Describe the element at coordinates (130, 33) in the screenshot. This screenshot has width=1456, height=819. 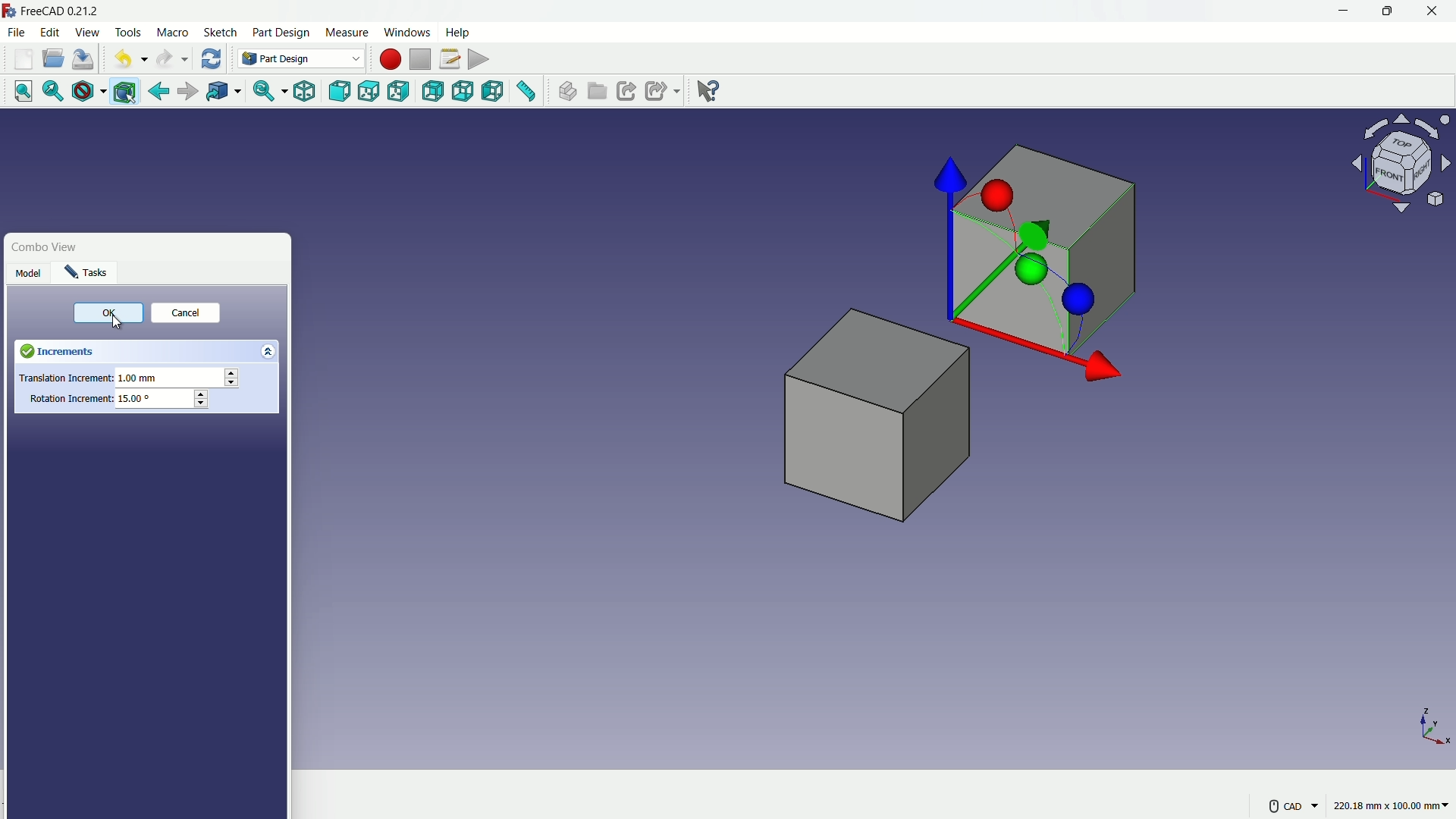
I see `tools` at that location.